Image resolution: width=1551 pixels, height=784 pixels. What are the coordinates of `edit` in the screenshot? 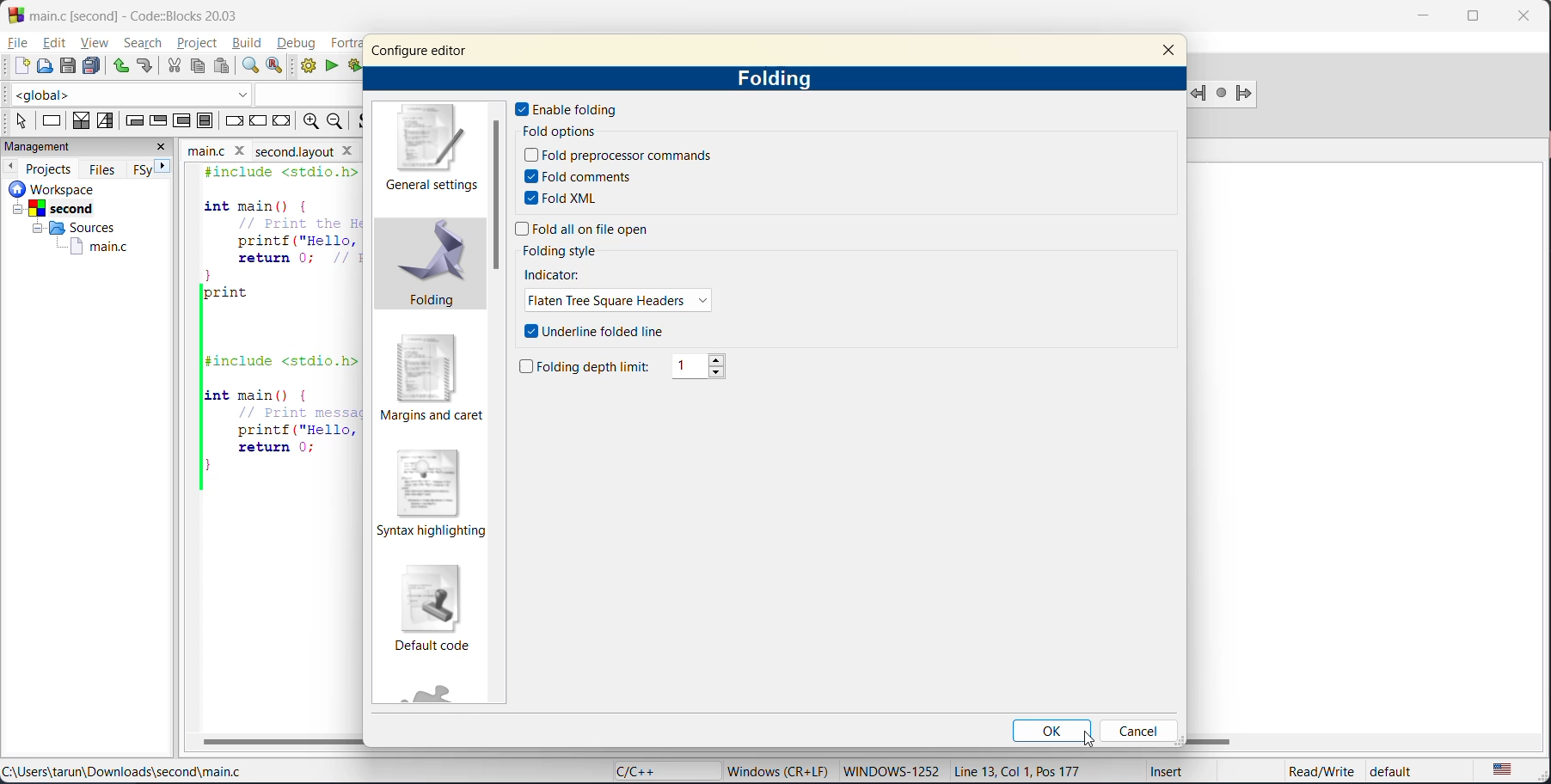 It's located at (57, 45).